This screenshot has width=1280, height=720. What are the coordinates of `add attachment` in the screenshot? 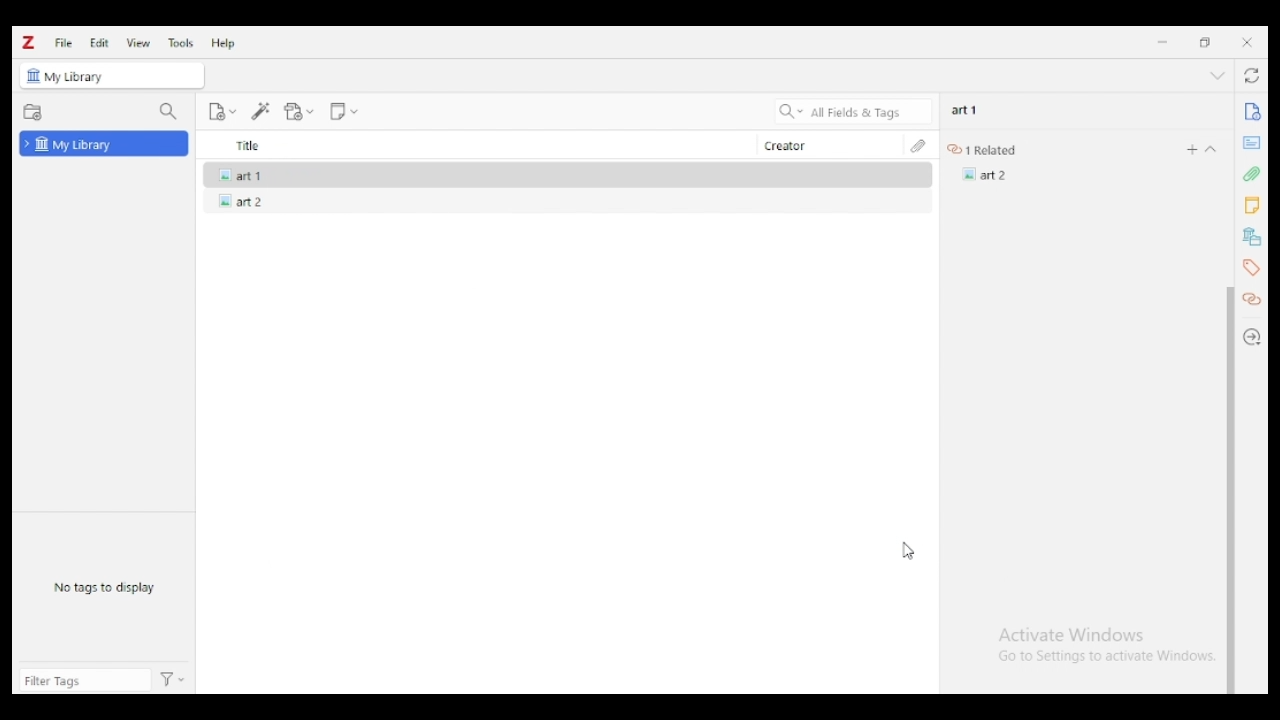 It's located at (299, 112).